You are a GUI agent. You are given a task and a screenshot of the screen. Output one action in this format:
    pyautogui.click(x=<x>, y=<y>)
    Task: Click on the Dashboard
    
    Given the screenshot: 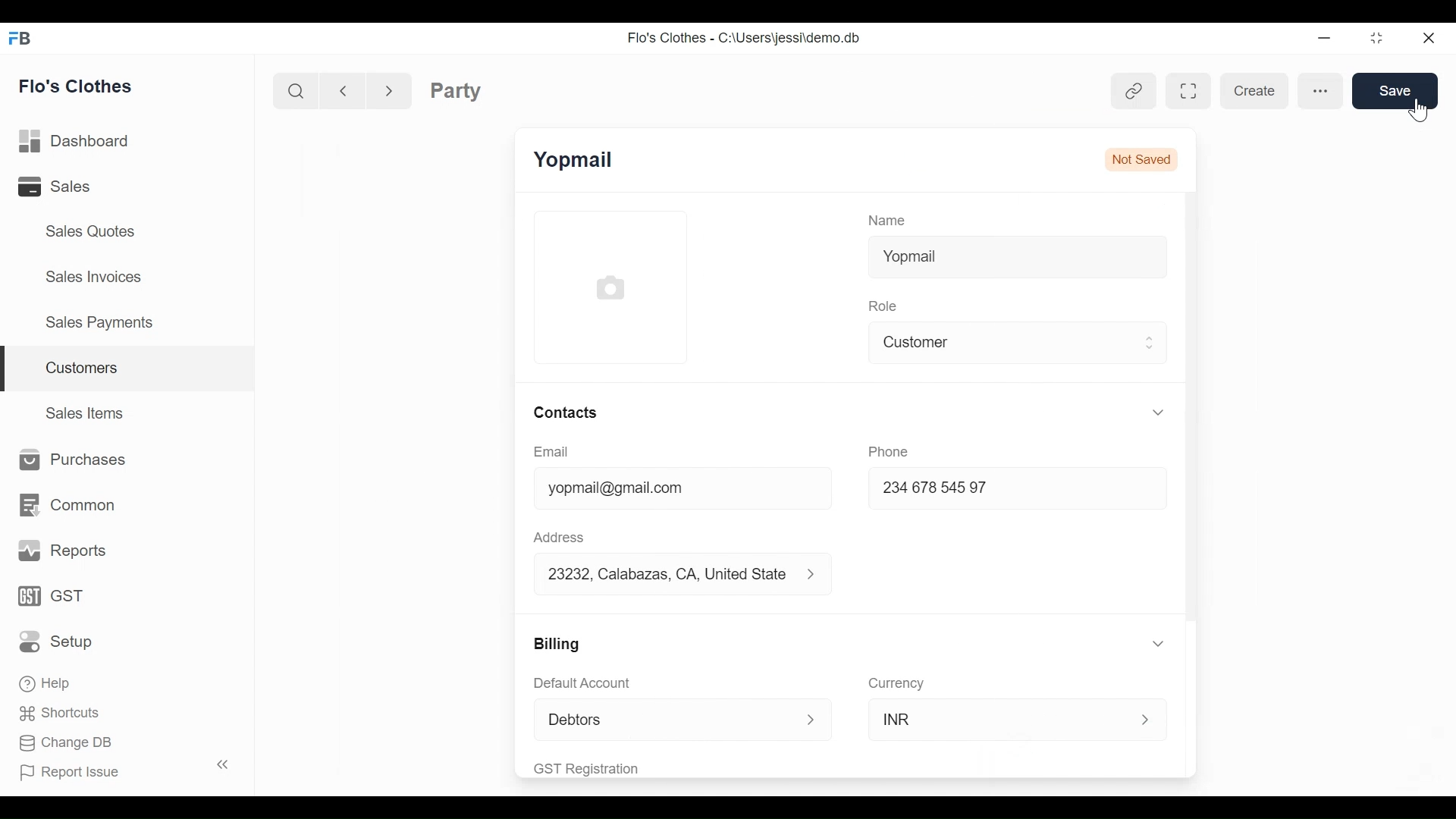 What is the action you would take?
    pyautogui.click(x=79, y=142)
    